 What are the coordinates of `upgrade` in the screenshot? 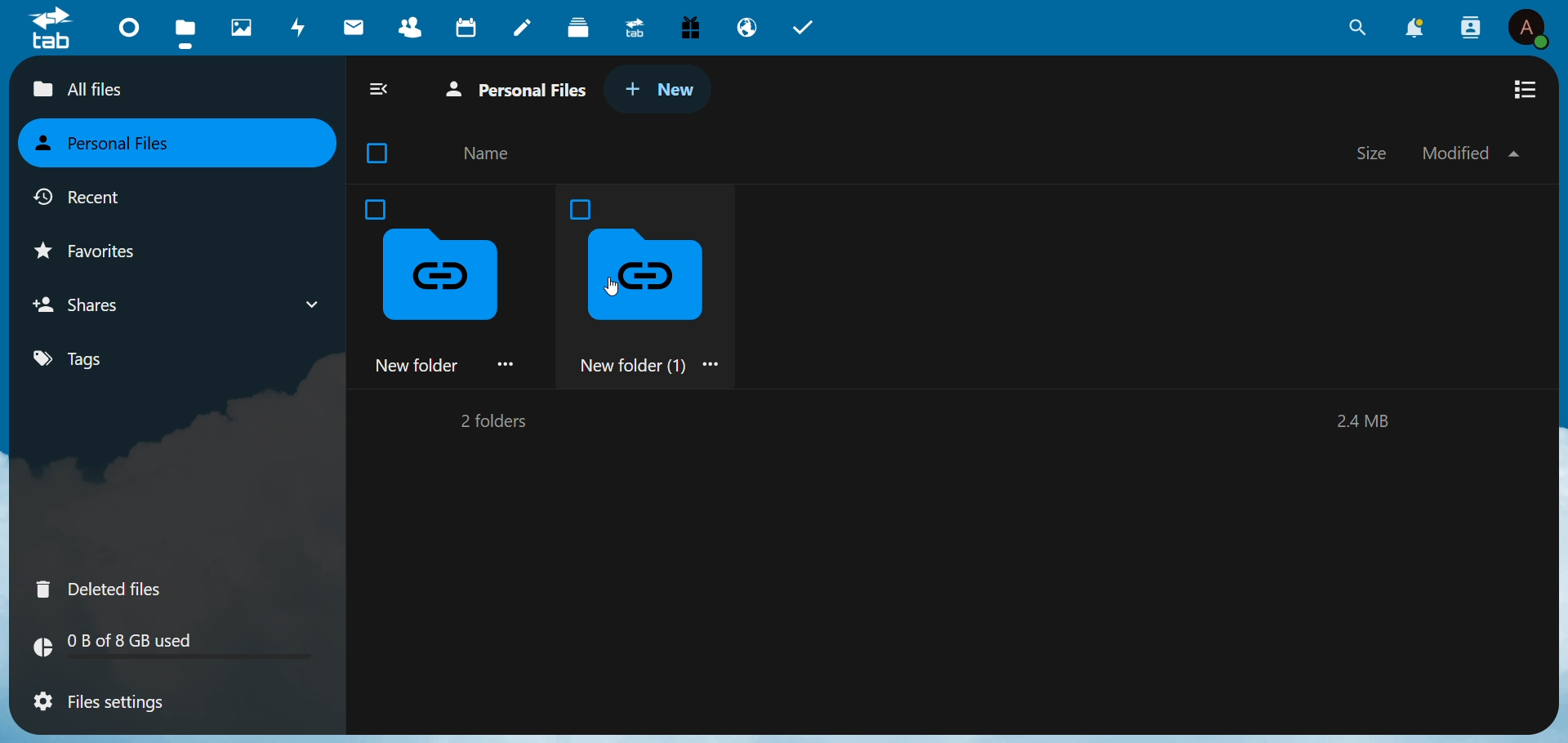 It's located at (633, 29).